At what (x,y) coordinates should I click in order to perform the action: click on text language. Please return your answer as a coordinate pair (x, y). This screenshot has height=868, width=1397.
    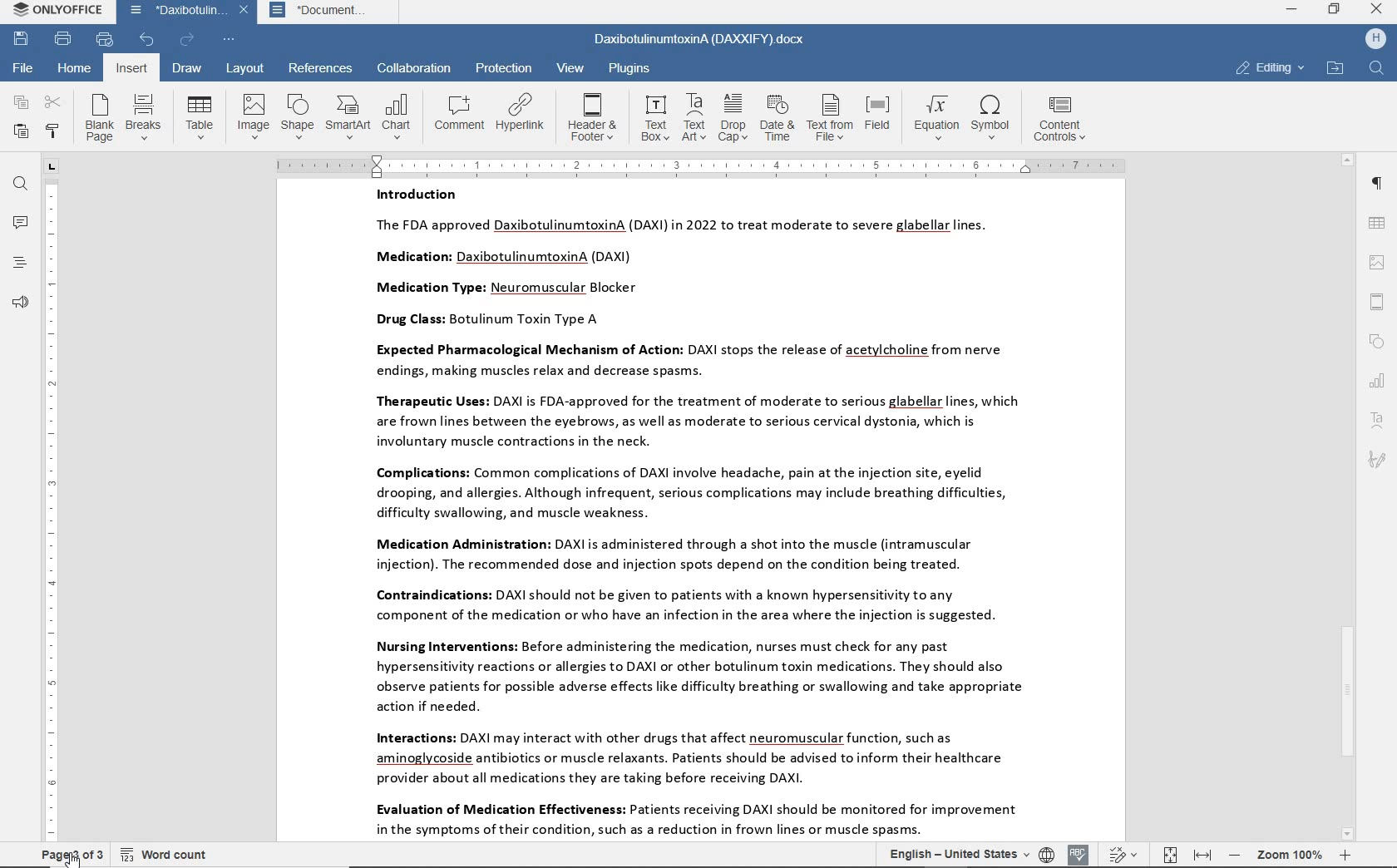
    Looking at the image, I should click on (954, 853).